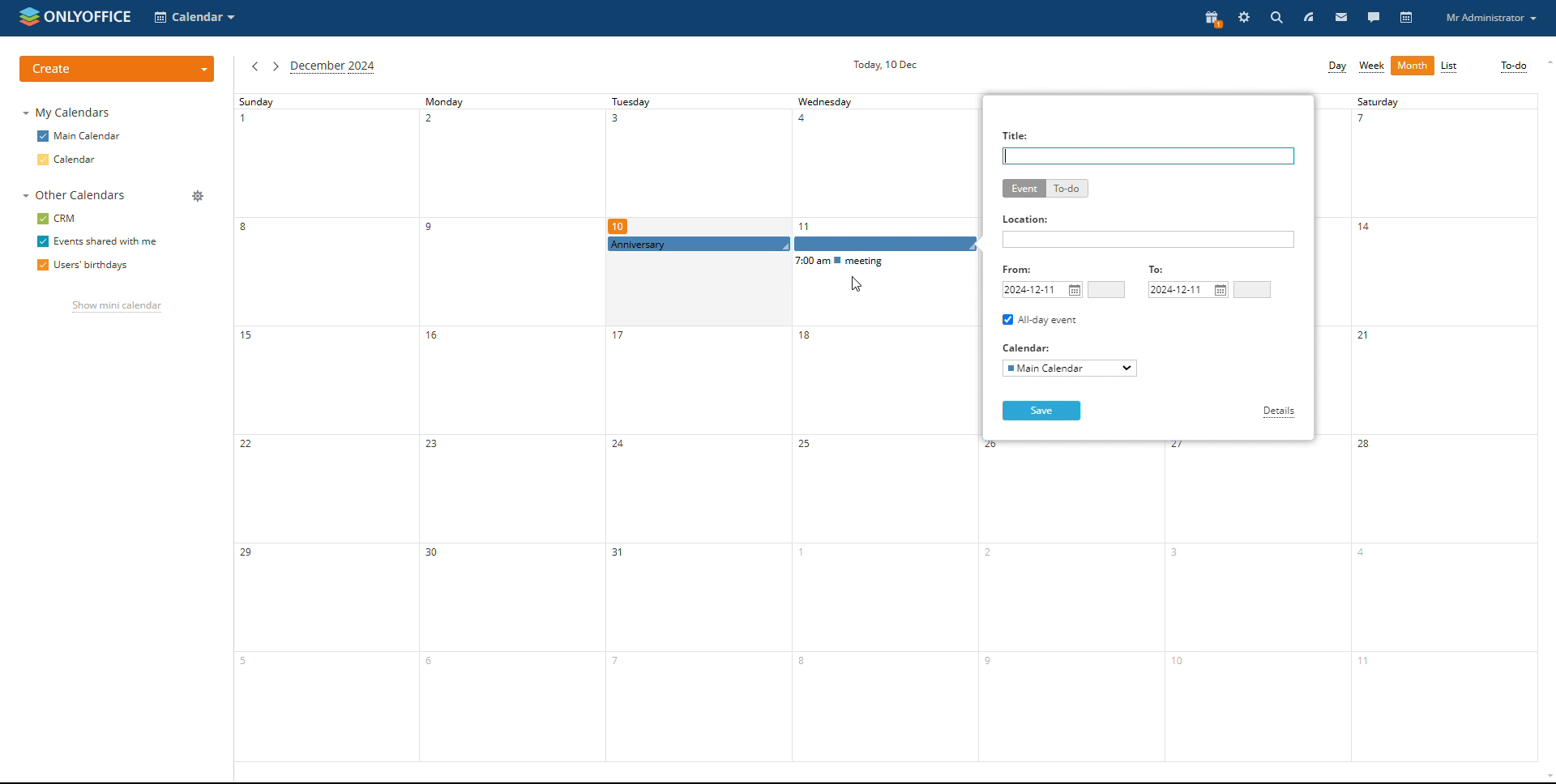  I want to click on onlyoffice, so click(88, 17).